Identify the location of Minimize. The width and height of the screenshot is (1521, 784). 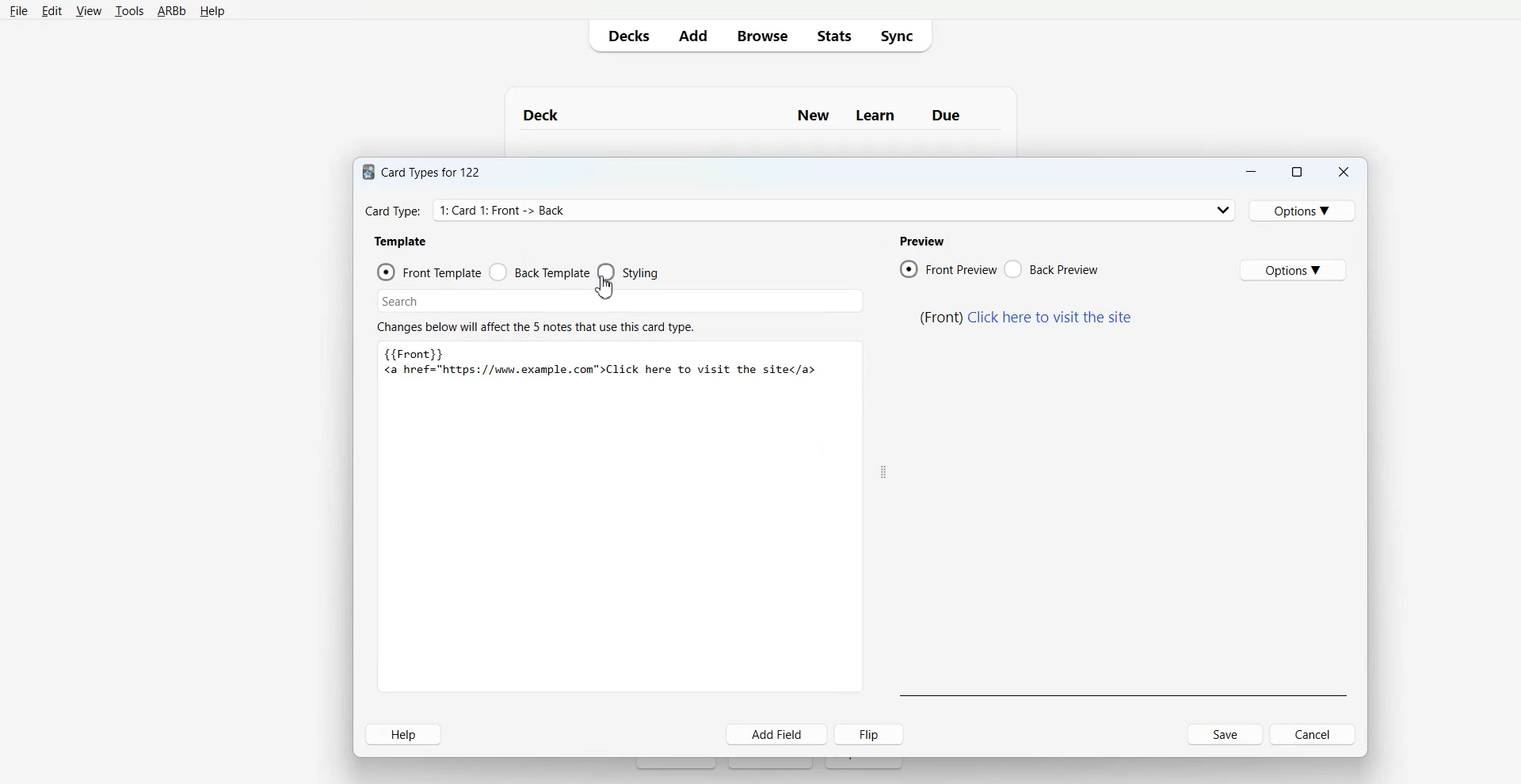
(1251, 170).